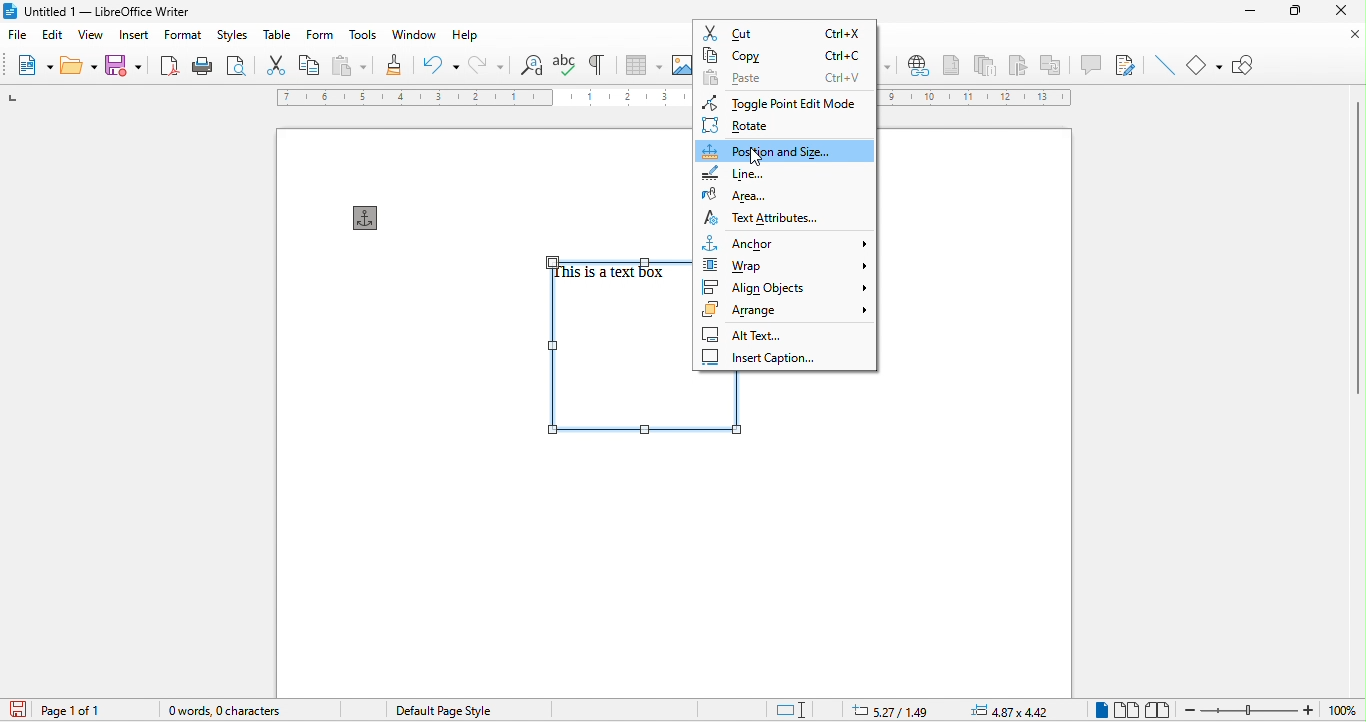 The width and height of the screenshot is (1366, 722). What do you see at coordinates (643, 65) in the screenshot?
I see `table` at bounding box center [643, 65].